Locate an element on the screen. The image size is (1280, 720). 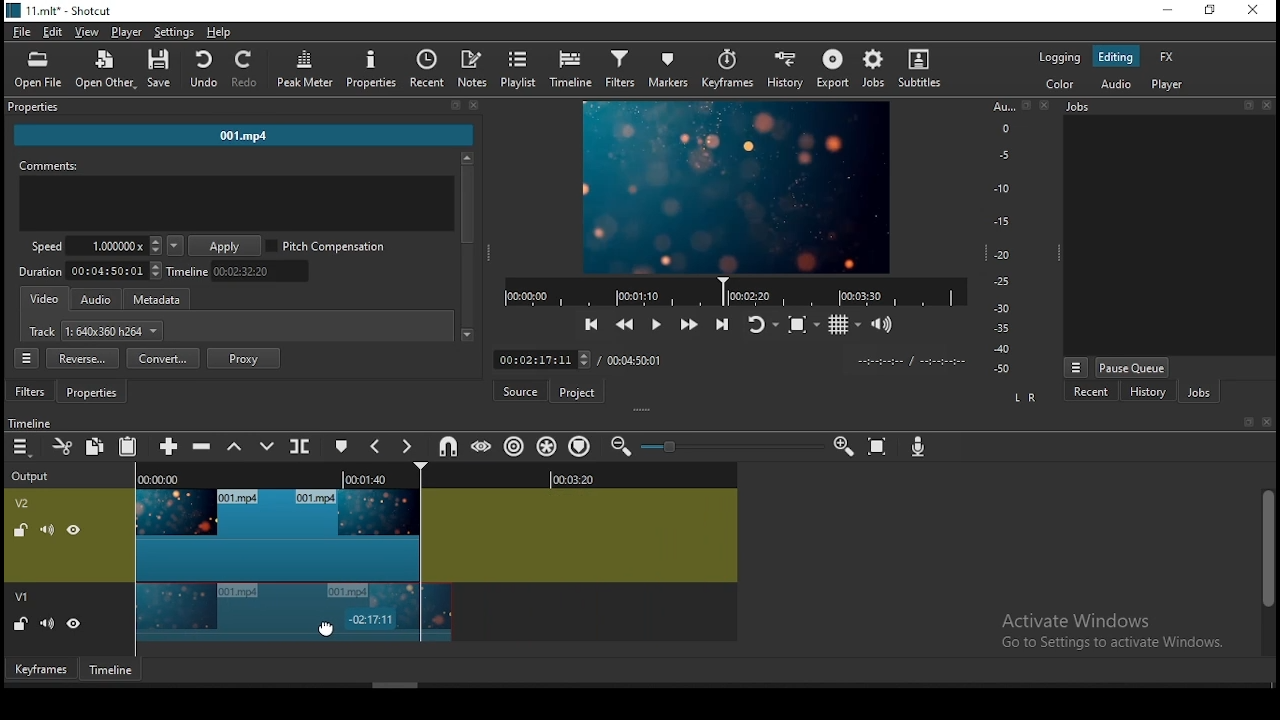
subtitles is located at coordinates (923, 69).